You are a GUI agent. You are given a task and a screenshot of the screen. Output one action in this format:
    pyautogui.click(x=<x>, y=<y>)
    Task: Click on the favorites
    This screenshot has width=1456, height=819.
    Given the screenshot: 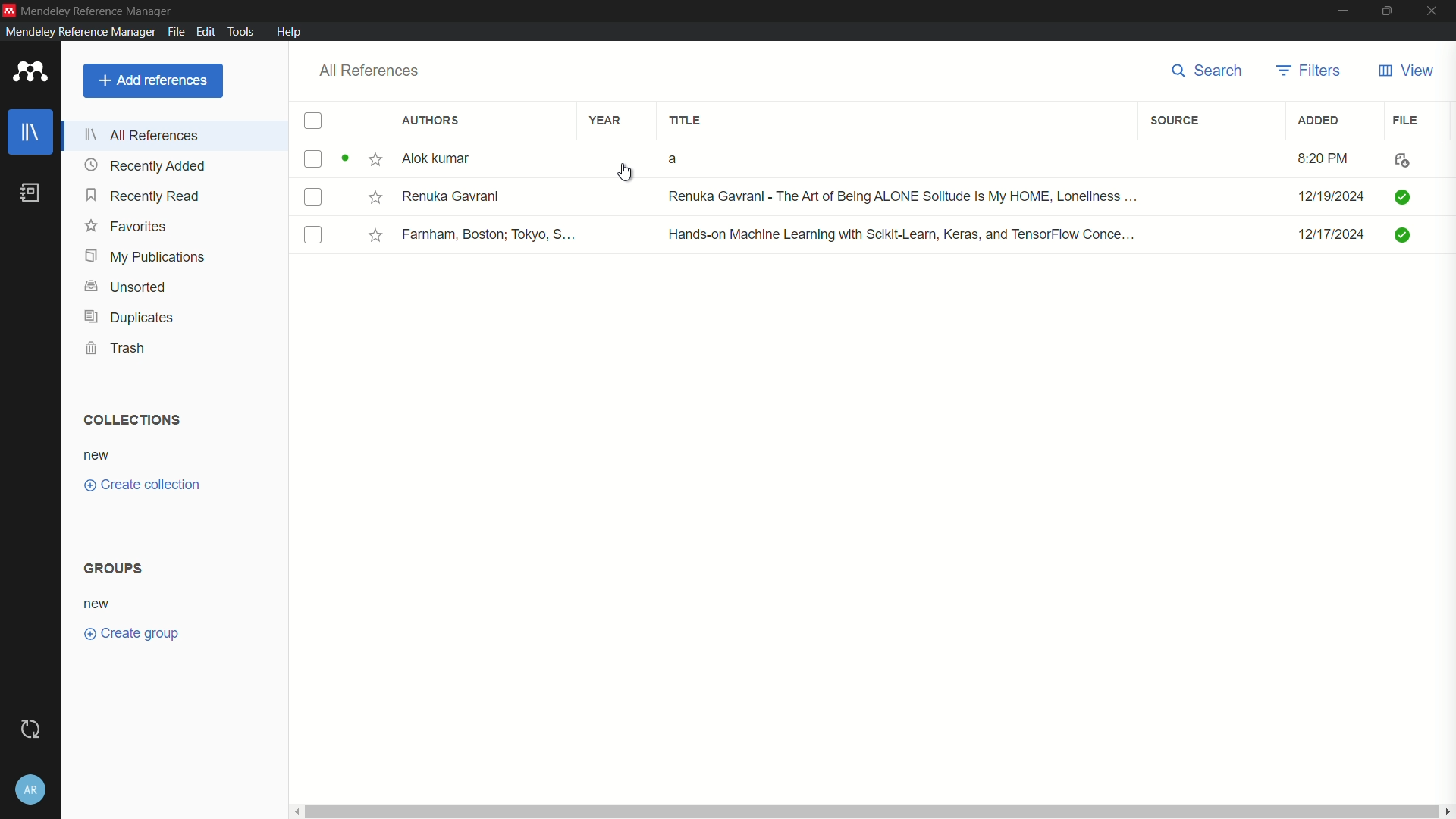 What is the action you would take?
    pyautogui.click(x=125, y=225)
    